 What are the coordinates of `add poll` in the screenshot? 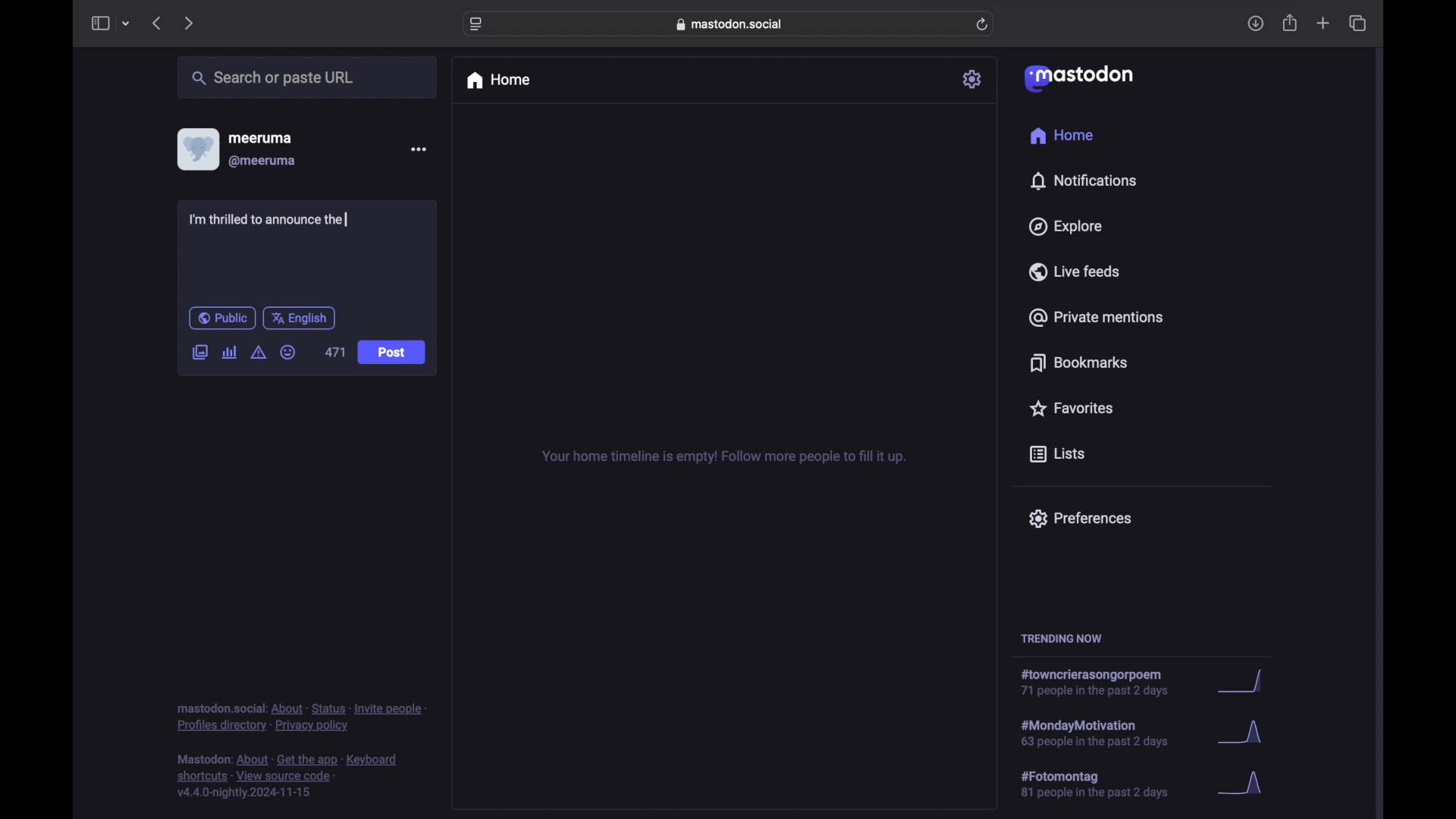 It's located at (231, 353).